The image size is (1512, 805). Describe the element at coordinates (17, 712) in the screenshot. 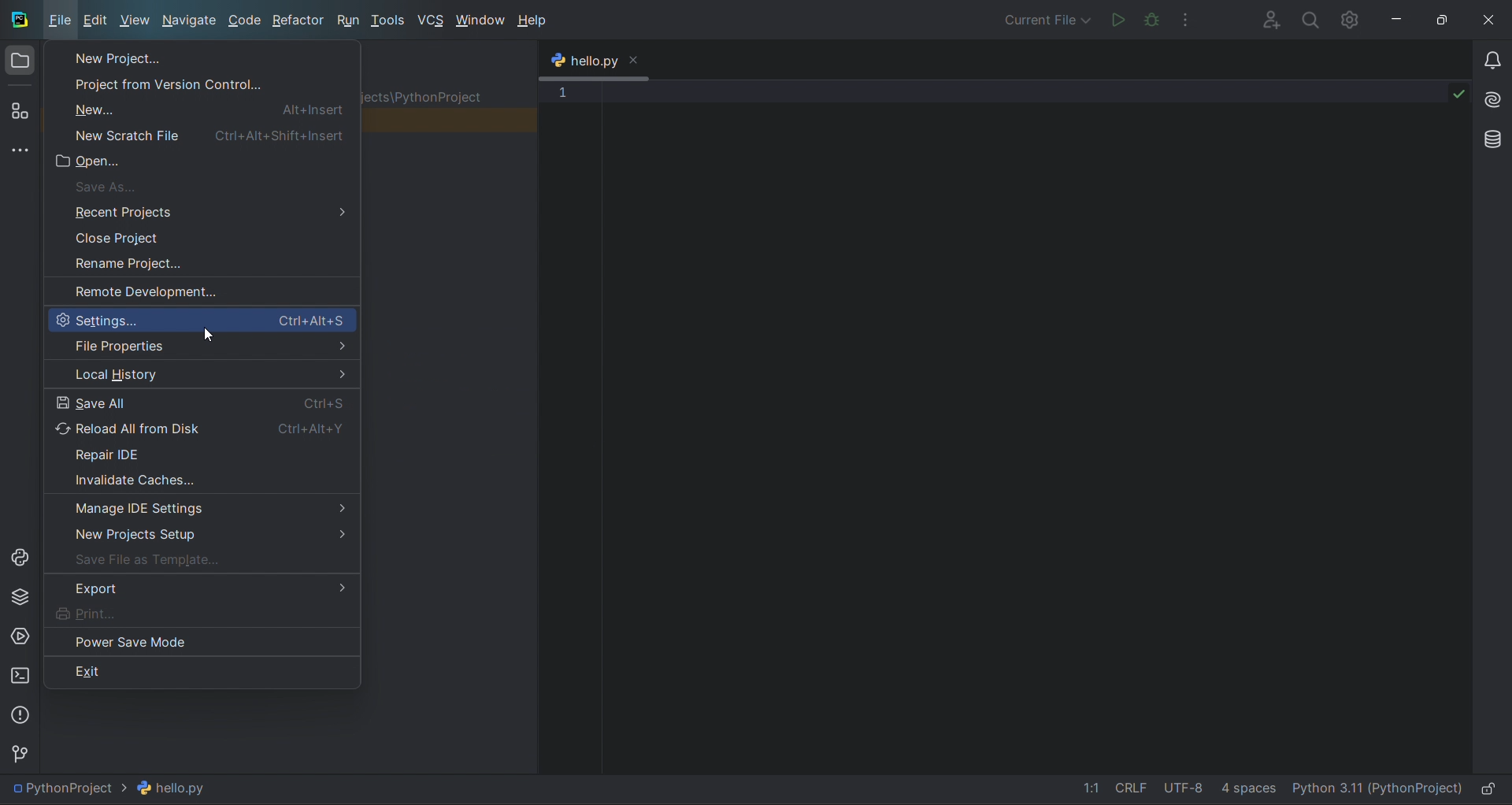

I see `problems` at that location.